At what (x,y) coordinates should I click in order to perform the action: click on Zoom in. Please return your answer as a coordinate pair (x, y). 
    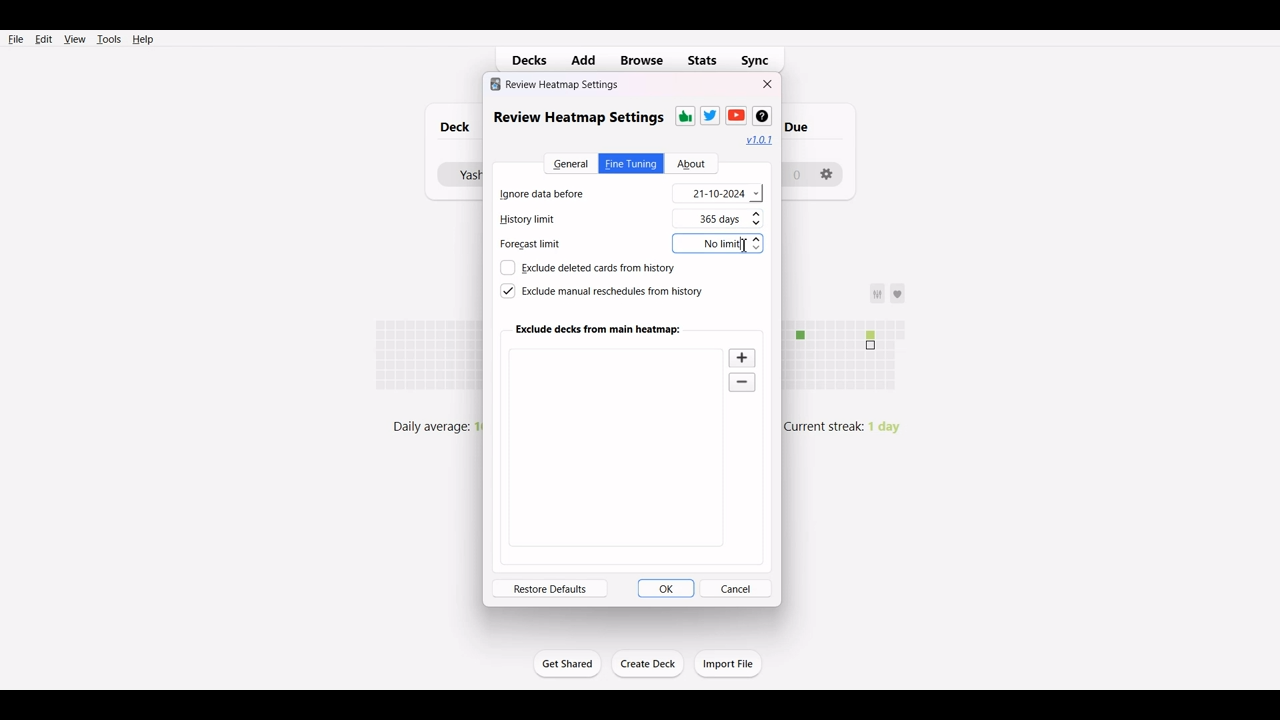
    Looking at the image, I should click on (743, 357).